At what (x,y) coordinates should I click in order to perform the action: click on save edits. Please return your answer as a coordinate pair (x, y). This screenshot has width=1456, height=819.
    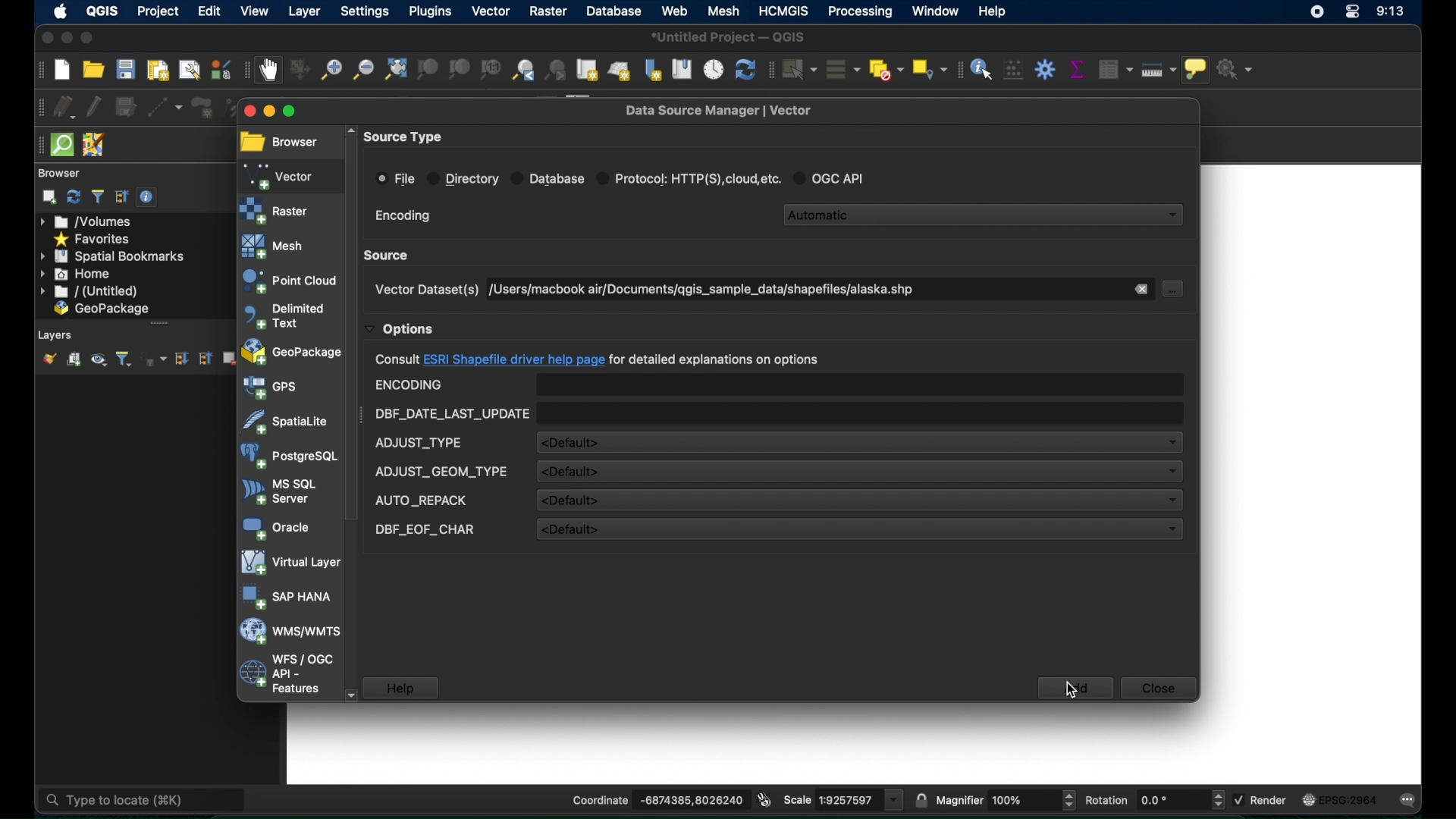
    Looking at the image, I should click on (126, 107).